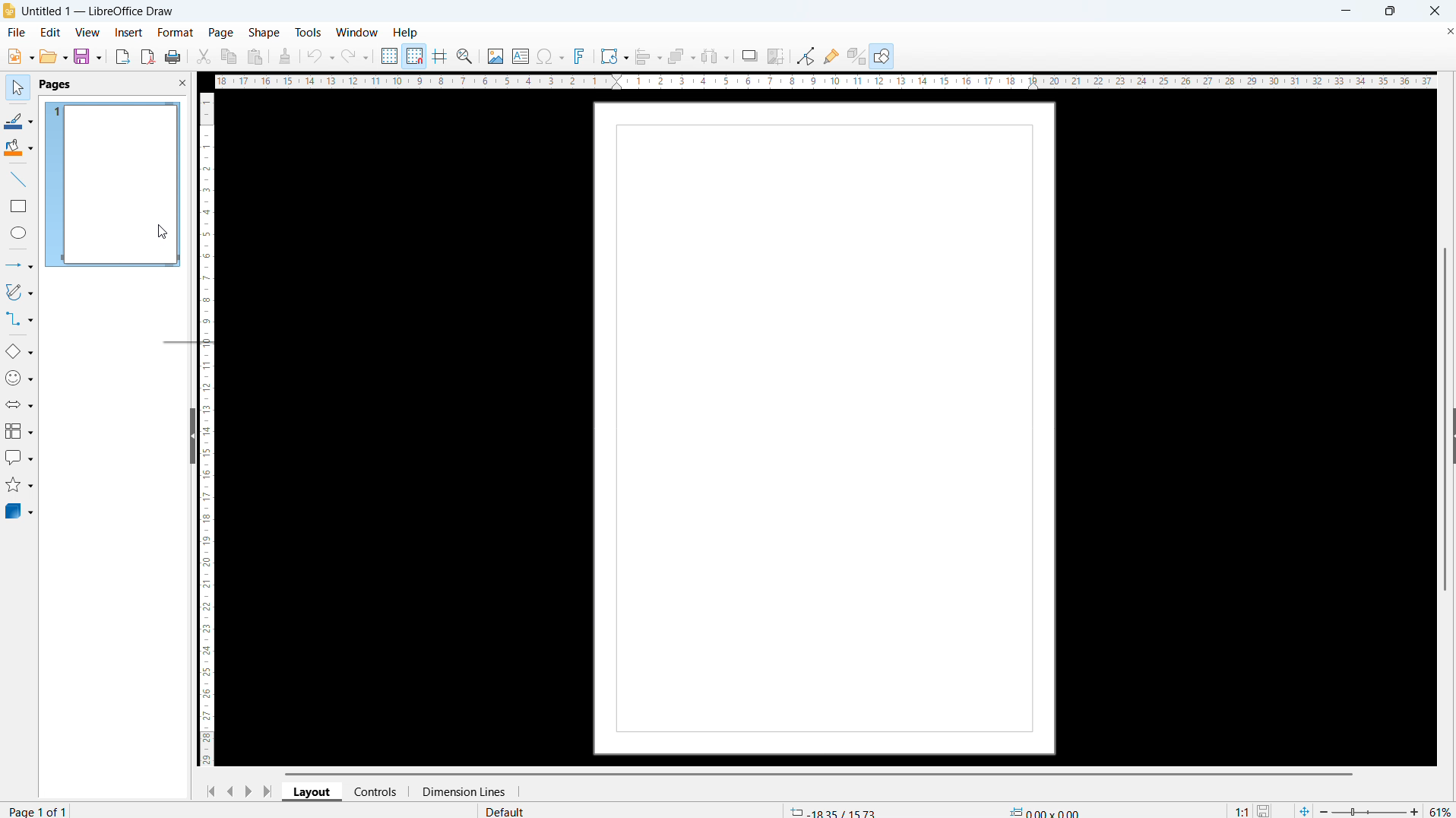 Image resolution: width=1456 pixels, height=818 pixels. What do you see at coordinates (827, 82) in the screenshot?
I see `Horizontal ruler ` at bounding box center [827, 82].